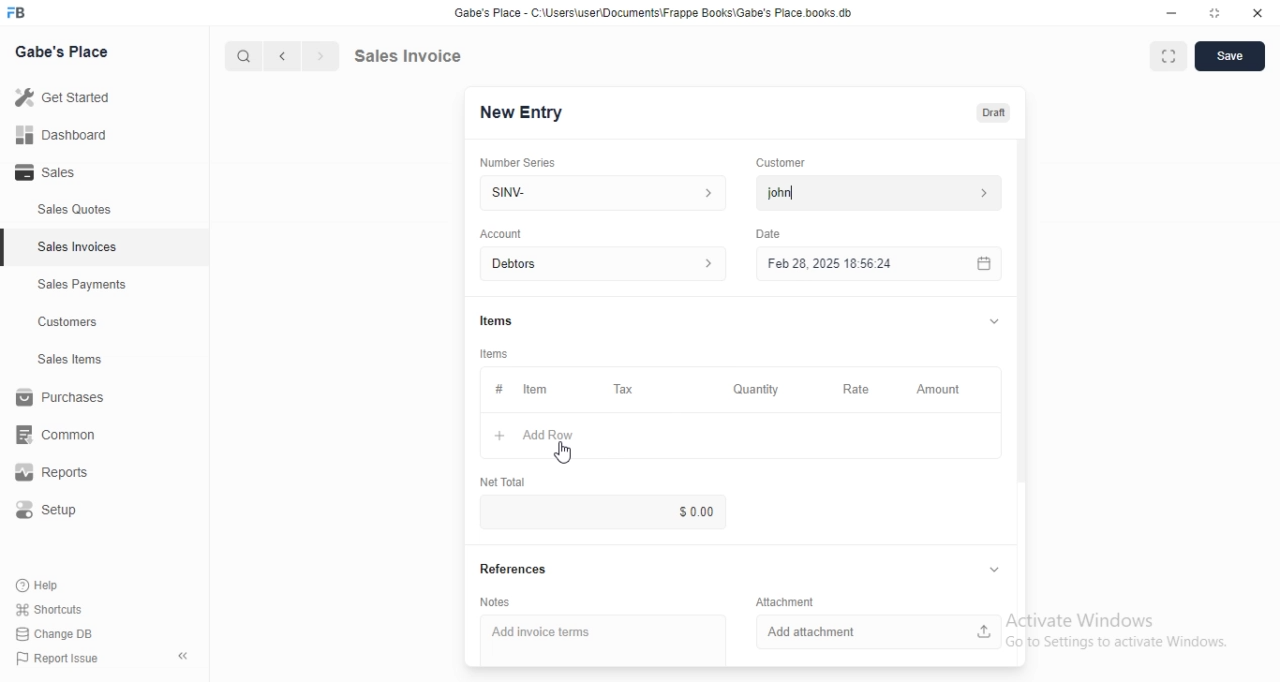 The image size is (1280, 682). Describe the element at coordinates (62, 434) in the screenshot. I see `common` at that location.